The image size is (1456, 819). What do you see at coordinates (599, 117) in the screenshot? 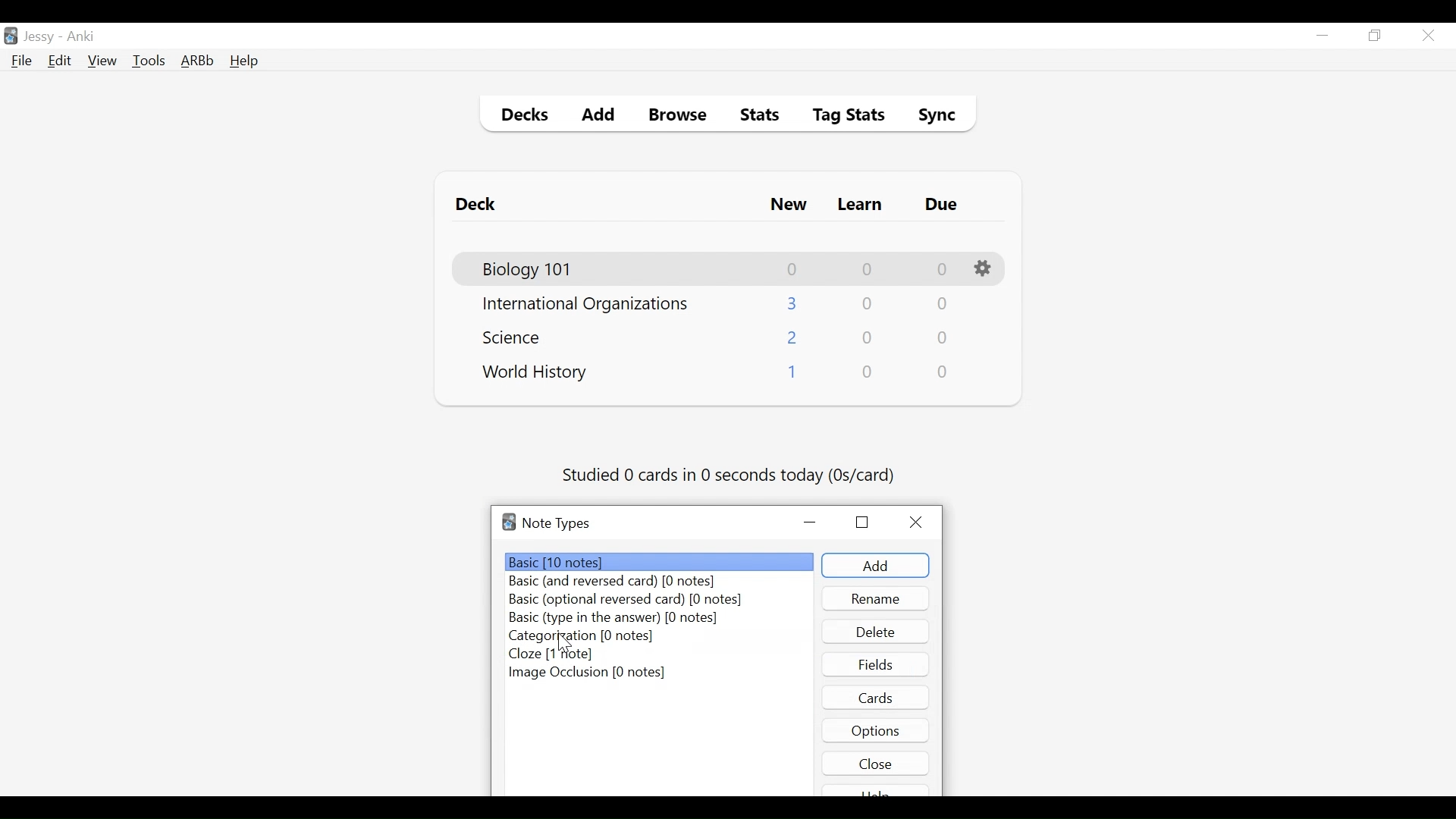
I see `Add` at bounding box center [599, 117].